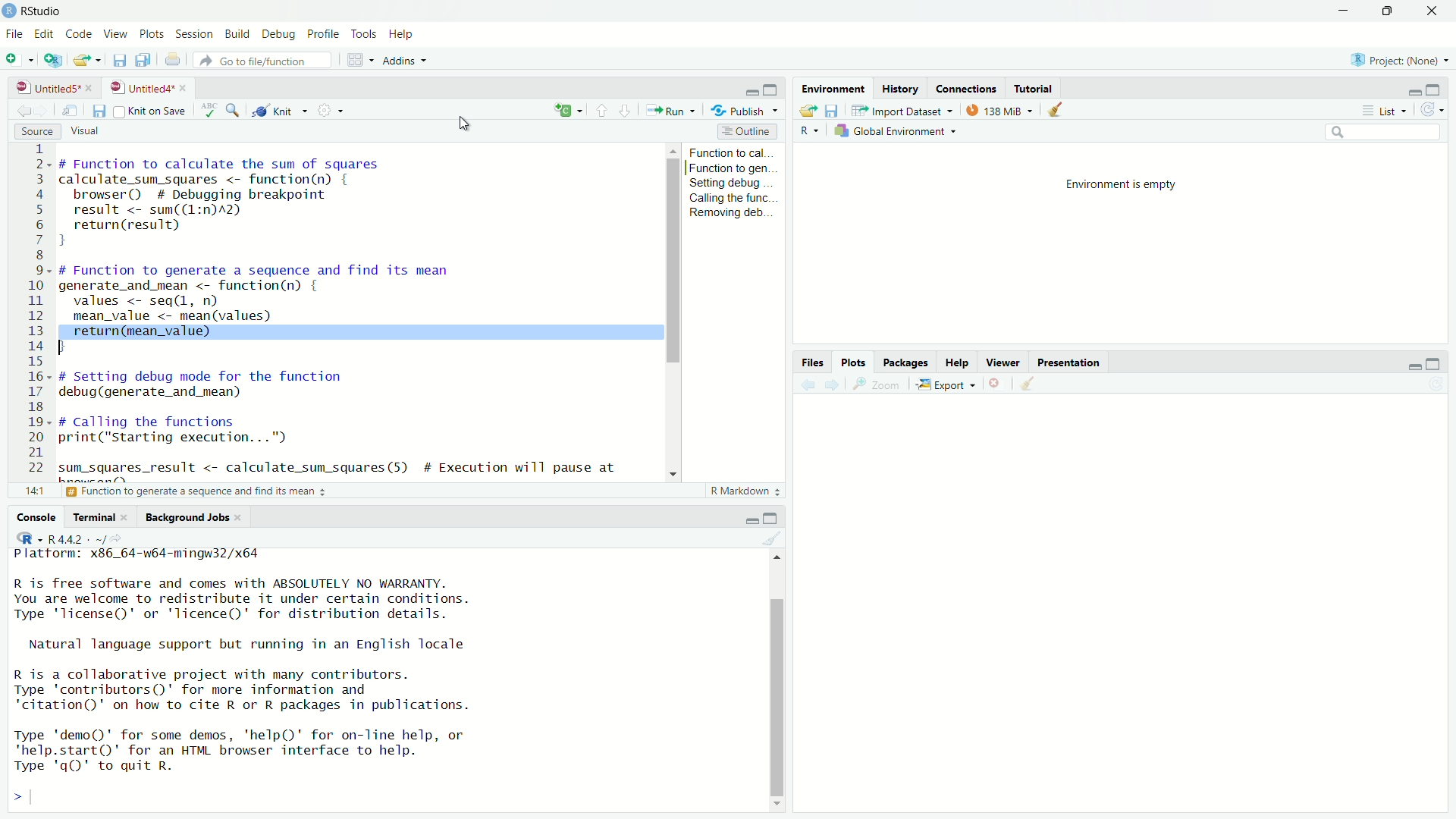  What do you see at coordinates (673, 110) in the screenshot?
I see `run the current line/selection` at bounding box center [673, 110].